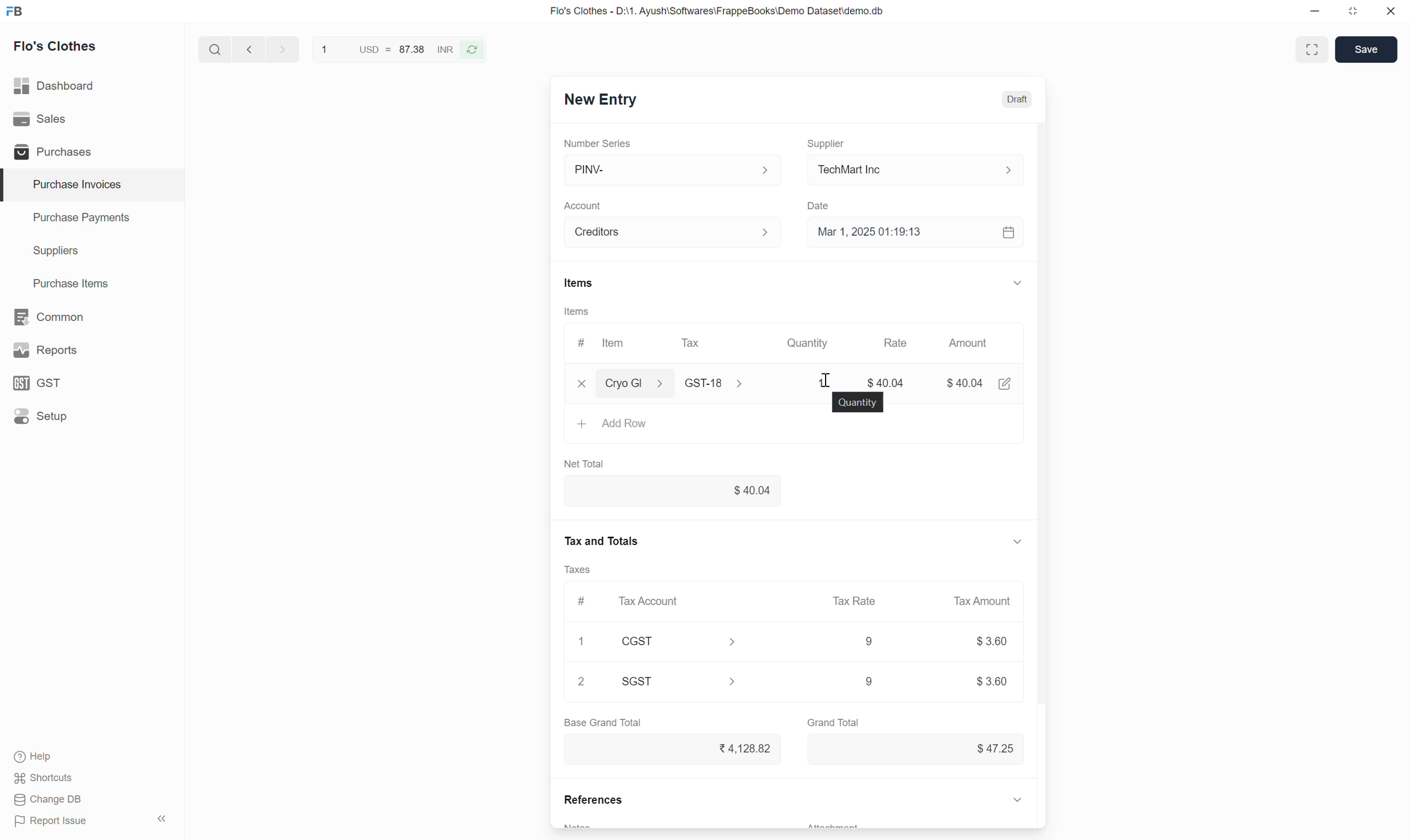 The height and width of the screenshot is (840, 1410). I want to click on Date, so click(824, 203).